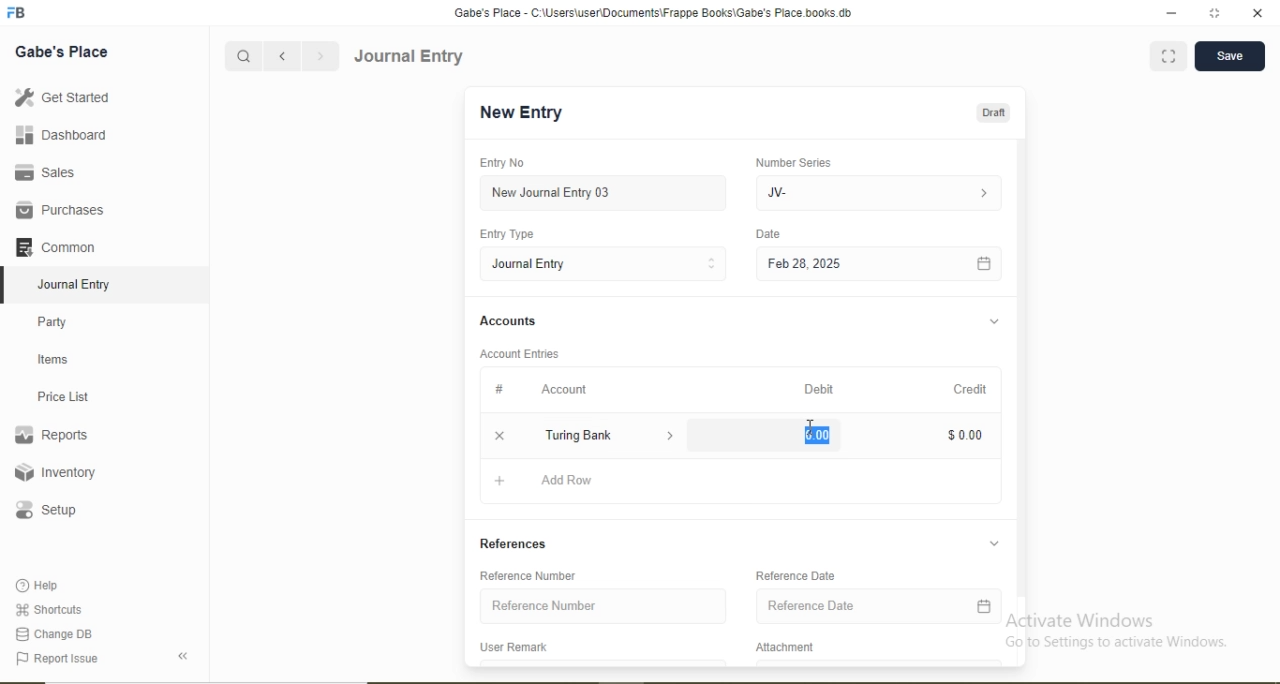 The image size is (1280, 684). What do you see at coordinates (500, 481) in the screenshot?
I see `Add` at bounding box center [500, 481].